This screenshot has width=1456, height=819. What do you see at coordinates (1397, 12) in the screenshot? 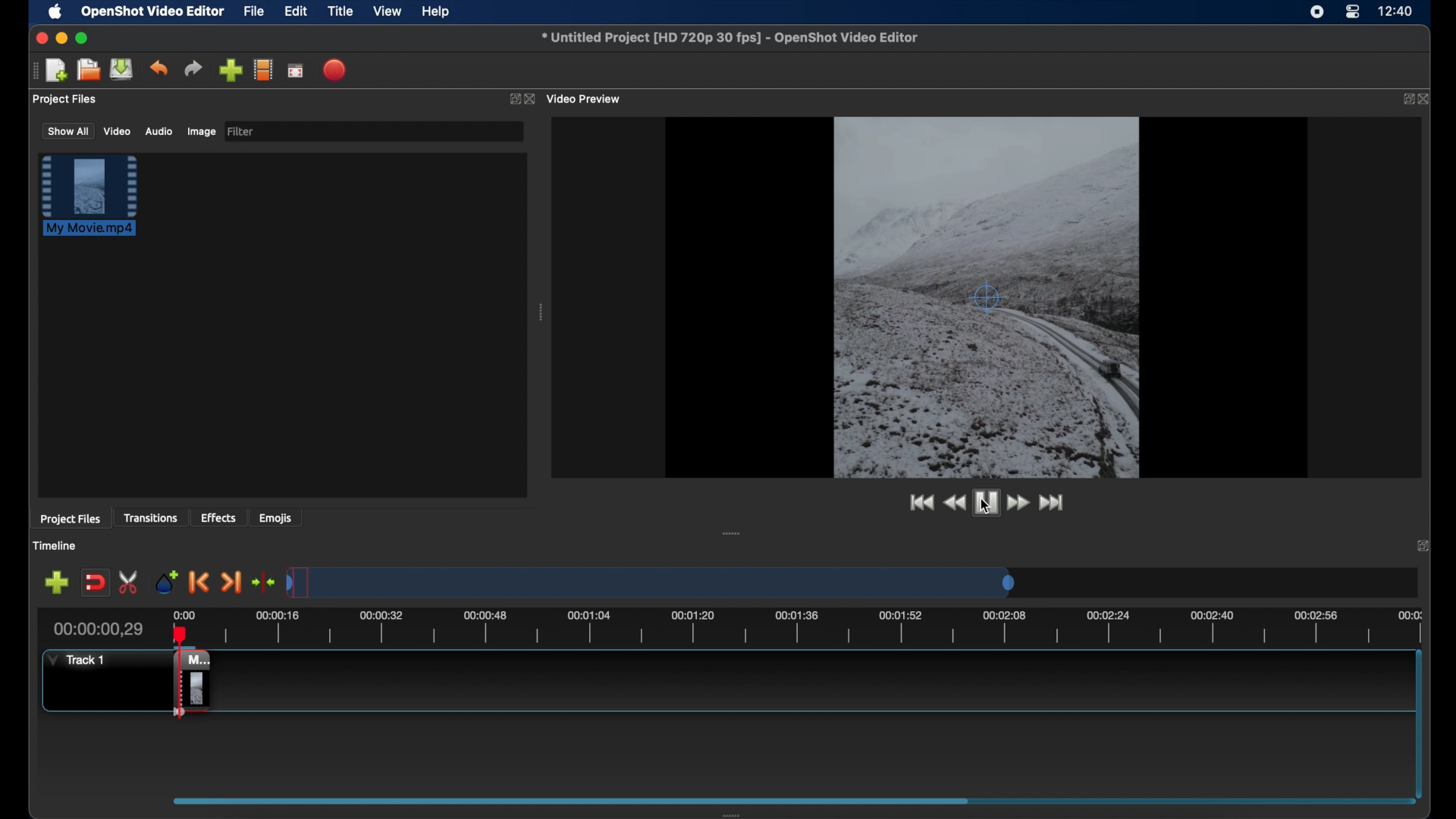
I see `time` at bounding box center [1397, 12].